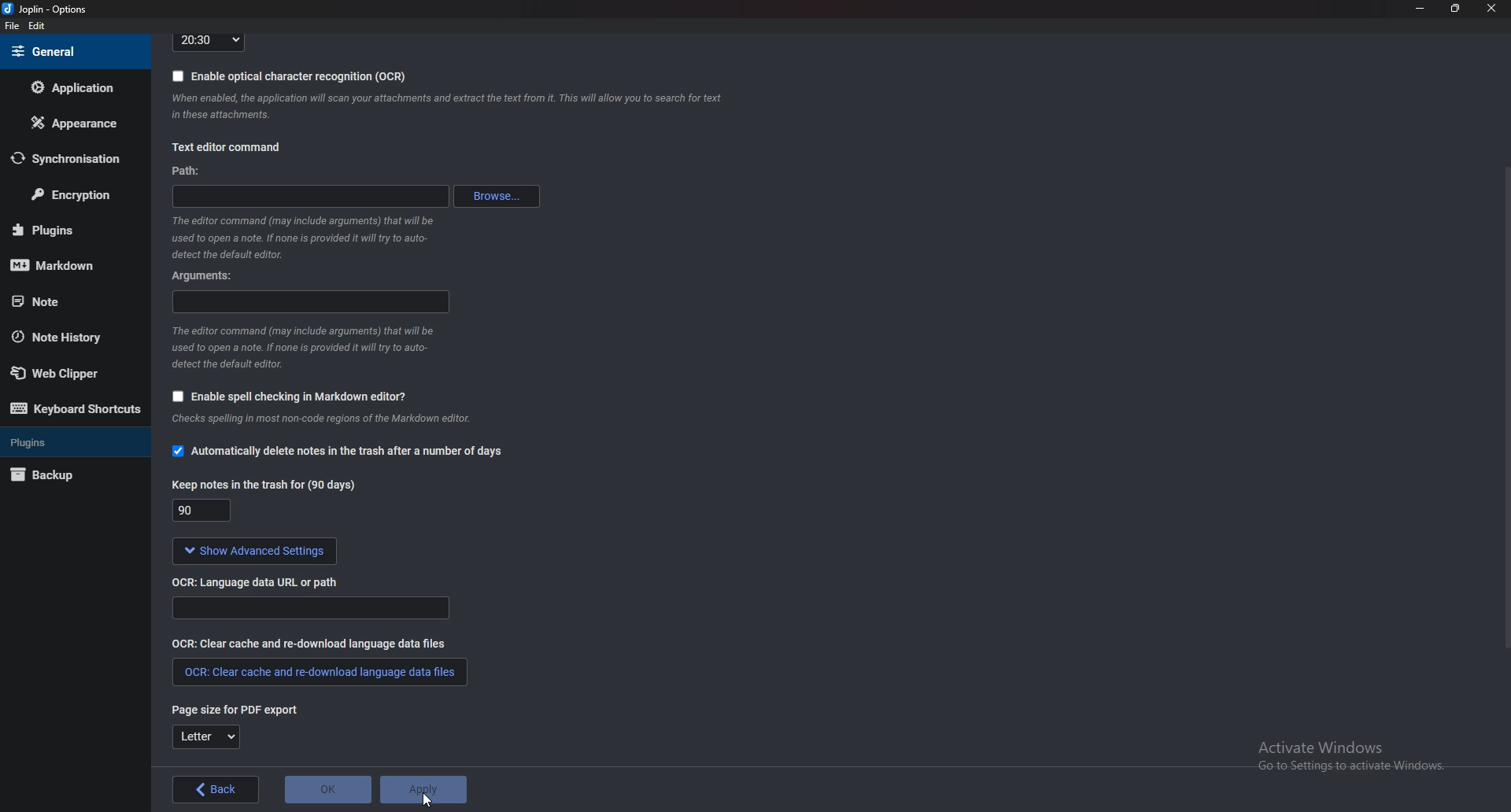 The image size is (1511, 812). What do you see at coordinates (318, 672) in the screenshot?
I see `O C R clear cache and redownload language data` at bounding box center [318, 672].